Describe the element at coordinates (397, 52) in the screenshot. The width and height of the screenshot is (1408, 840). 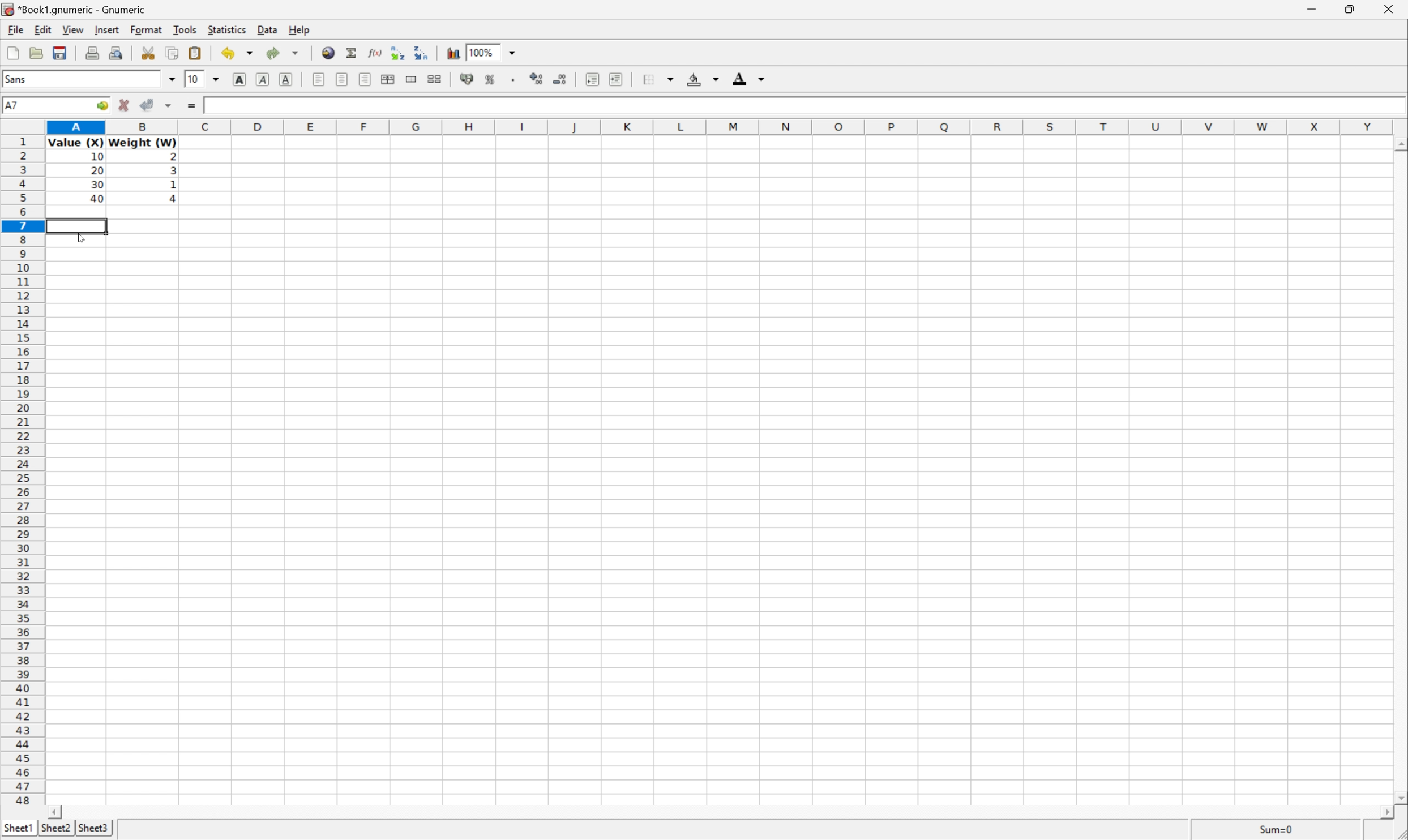
I see `Sort the selected region in ascending order based on the first column selected` at that location.